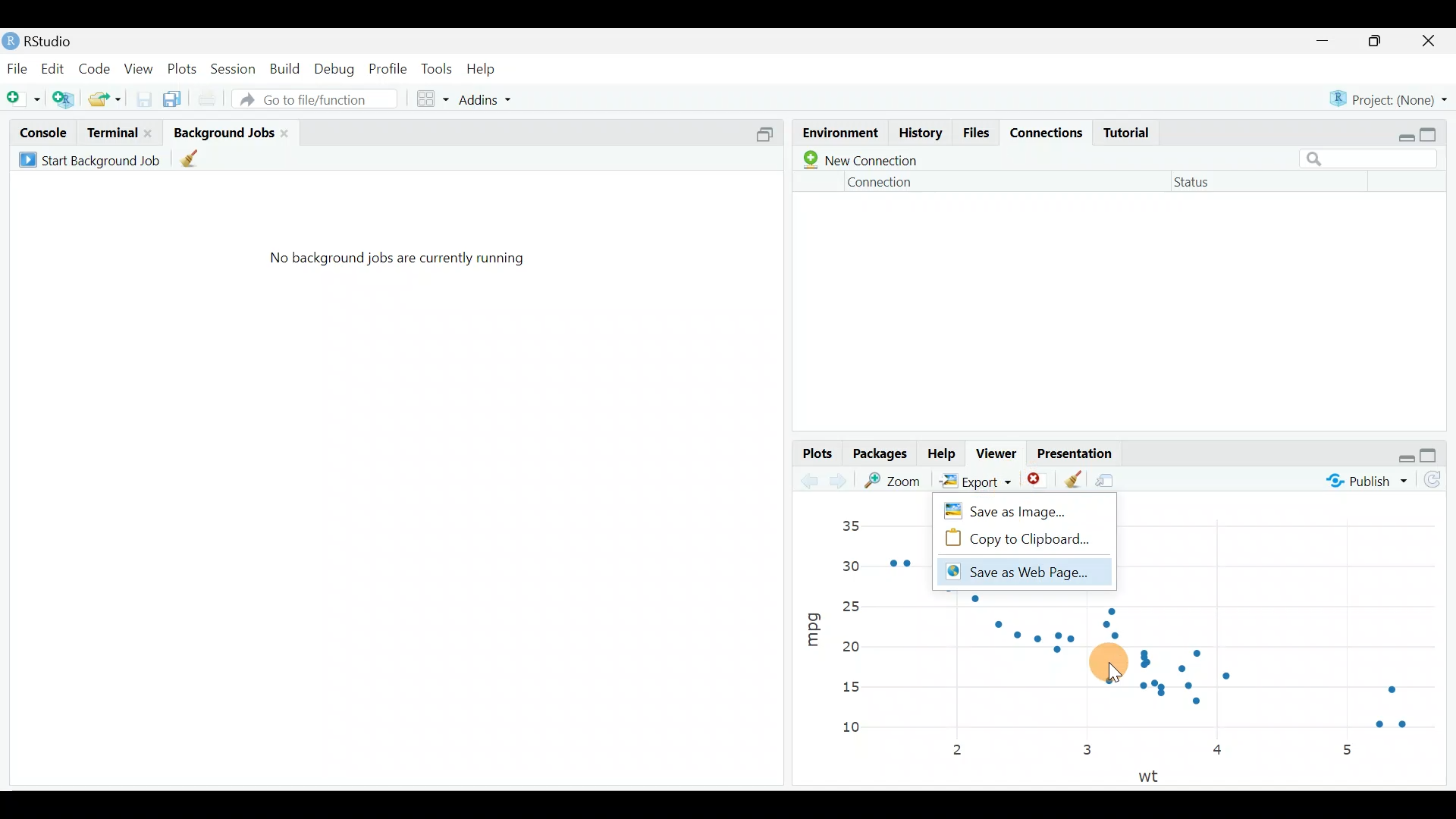 This screenshot has width=1456, height=819. Describe the element at coordinates (397, 265) in the screenshot. I see `No background jobs are currently running` at that location.